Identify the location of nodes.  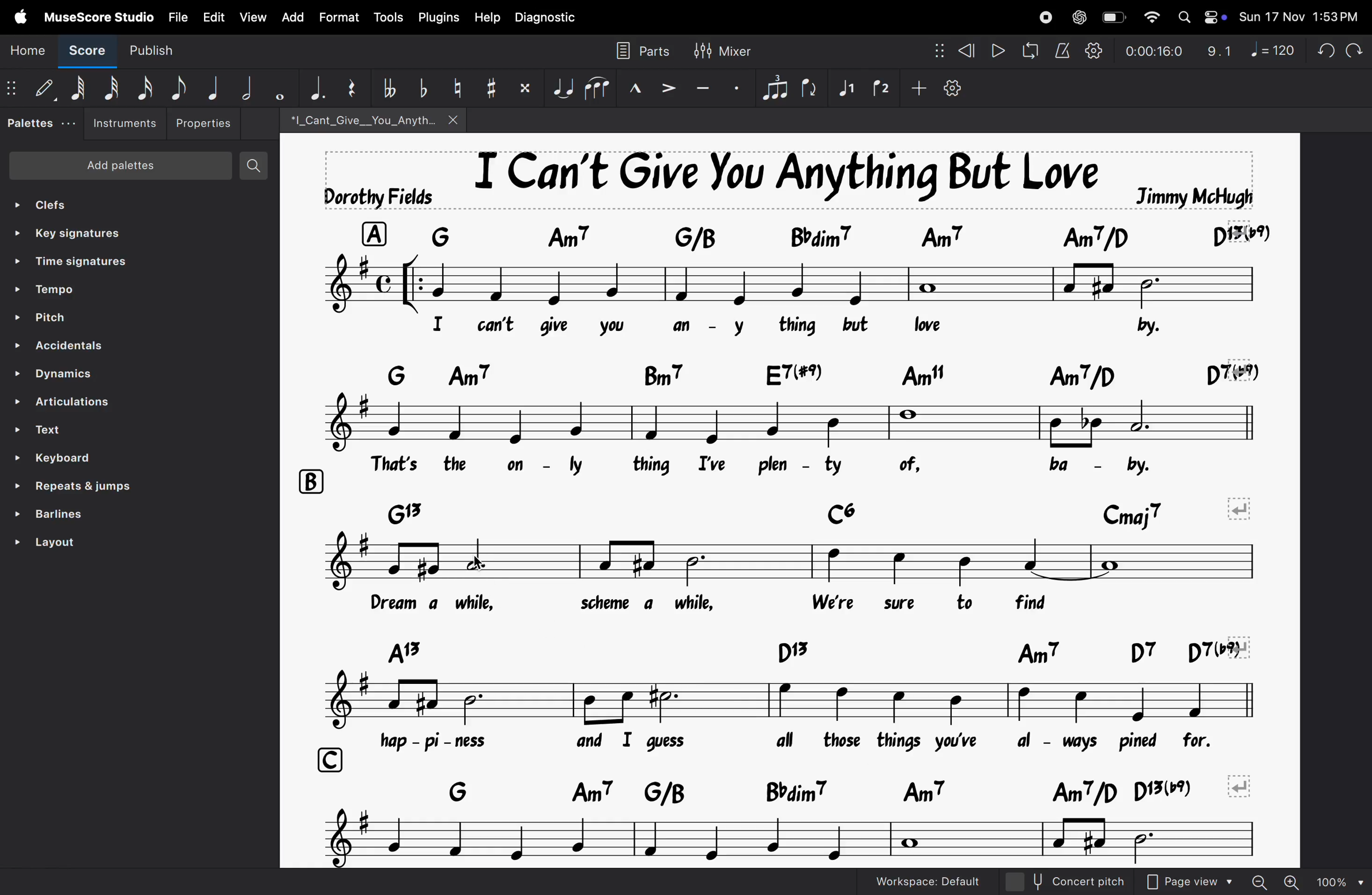
(933, 48).